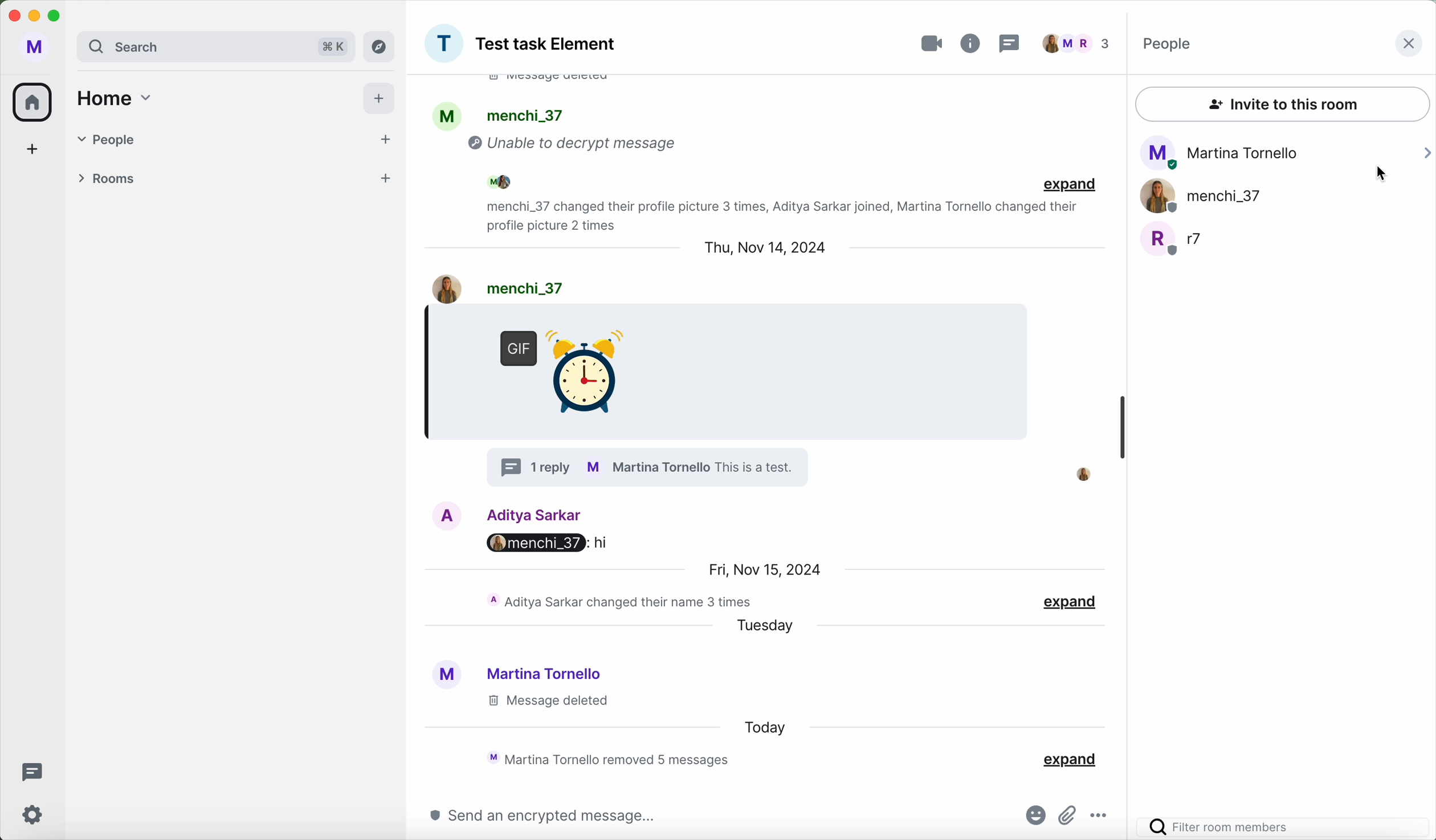  I want to click on threads, so click(1014, 43).